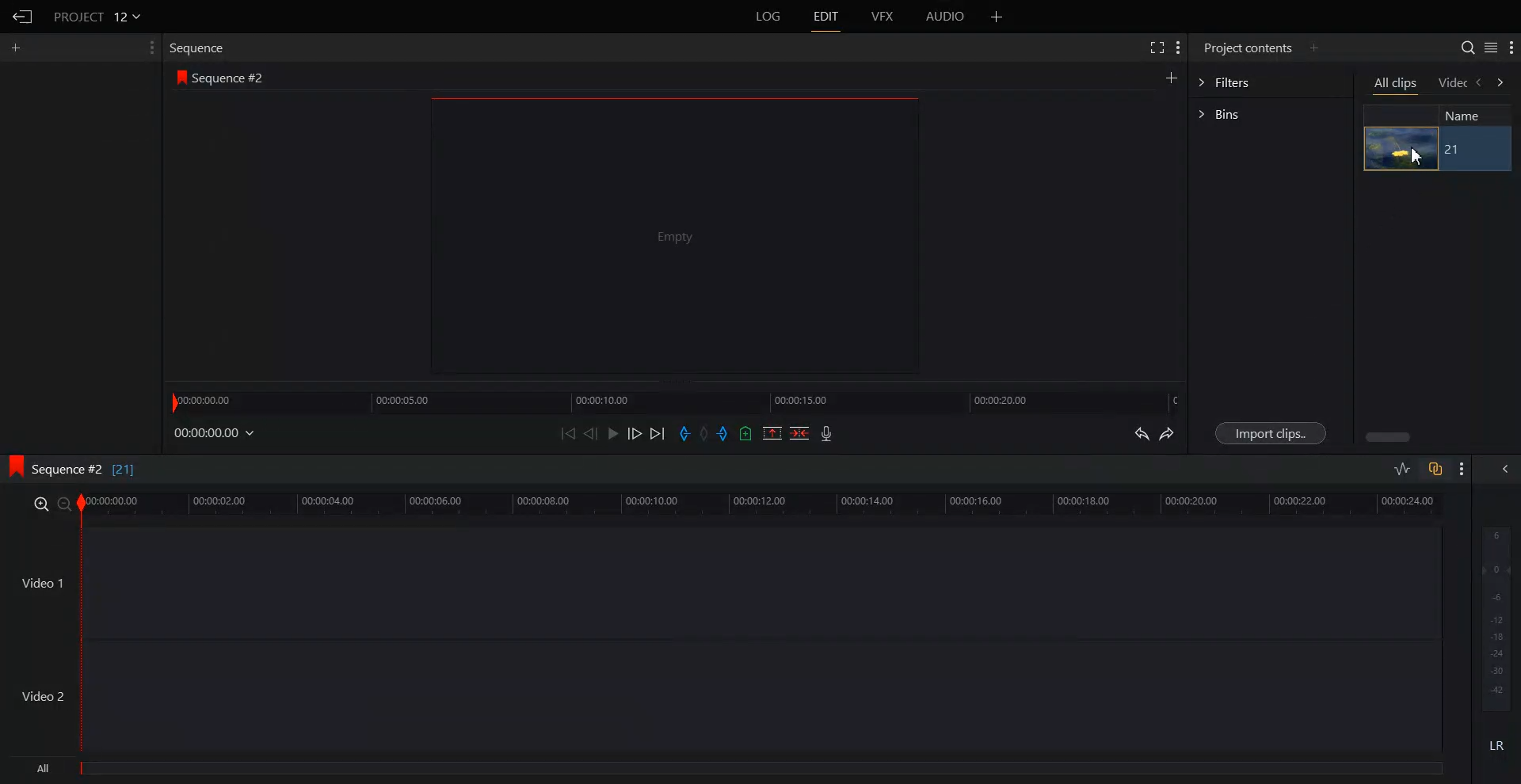 This screenshot has height=784, width=1521. Describe the element at coordinates (997, 17) in the screenshot. I see `Add File` at that location.